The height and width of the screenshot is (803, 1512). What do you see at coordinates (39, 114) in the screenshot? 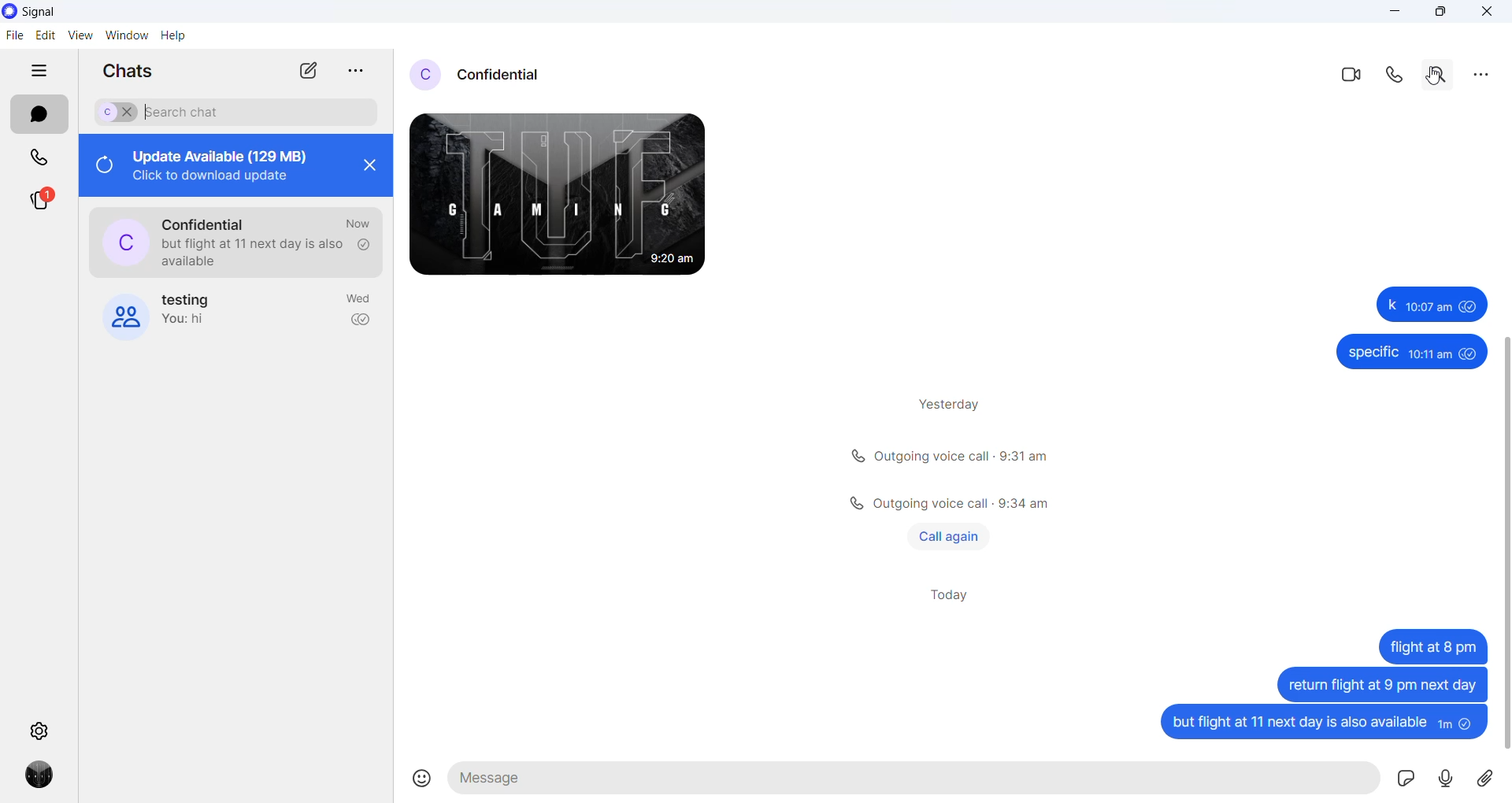
I see `chats` at bounding box center [39, 114].